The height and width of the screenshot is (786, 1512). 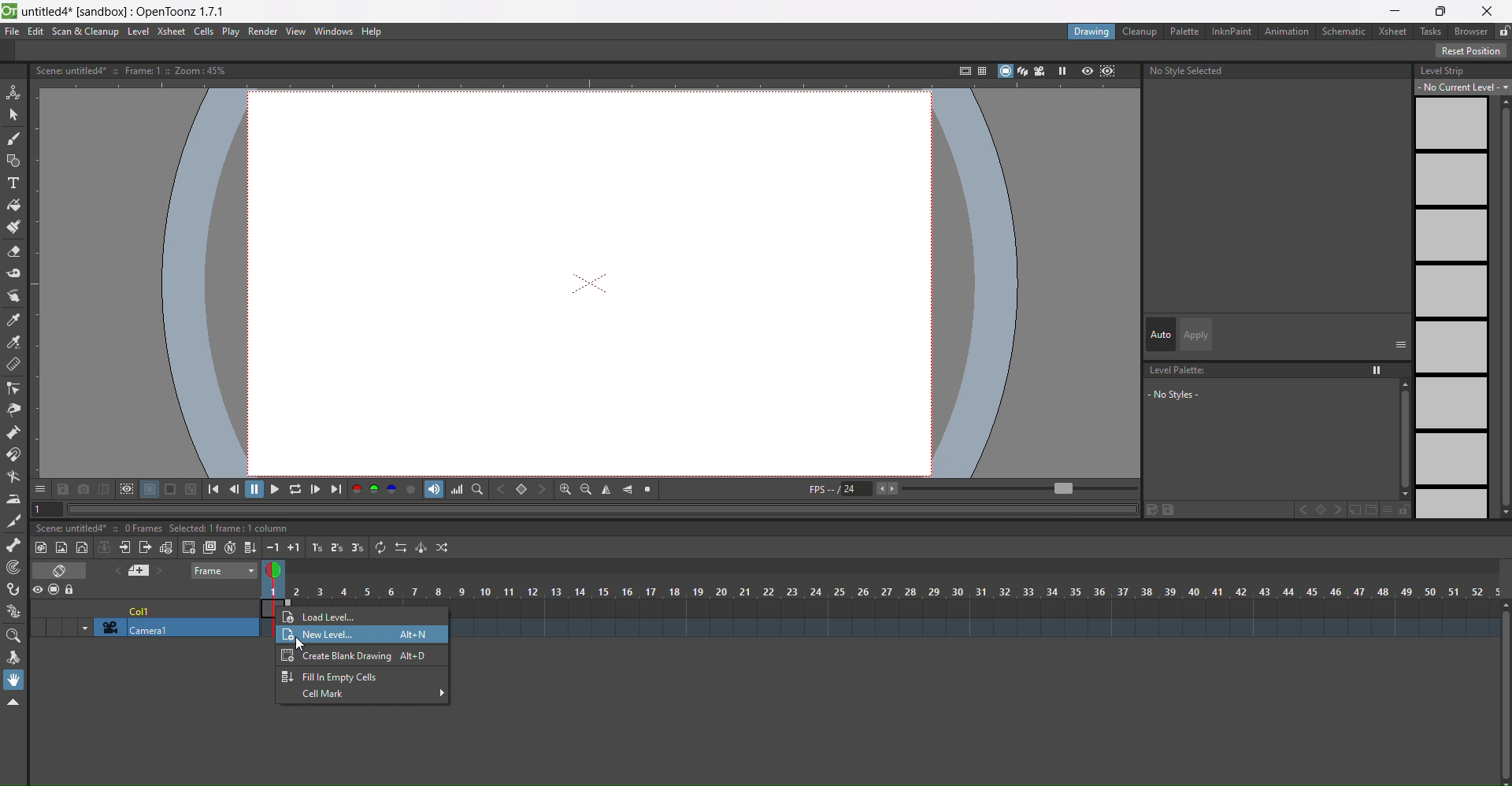 What do you see at coordinates (13, 162) in the screenshot?
I see `geometric tool` at bounding box center [13, 162].